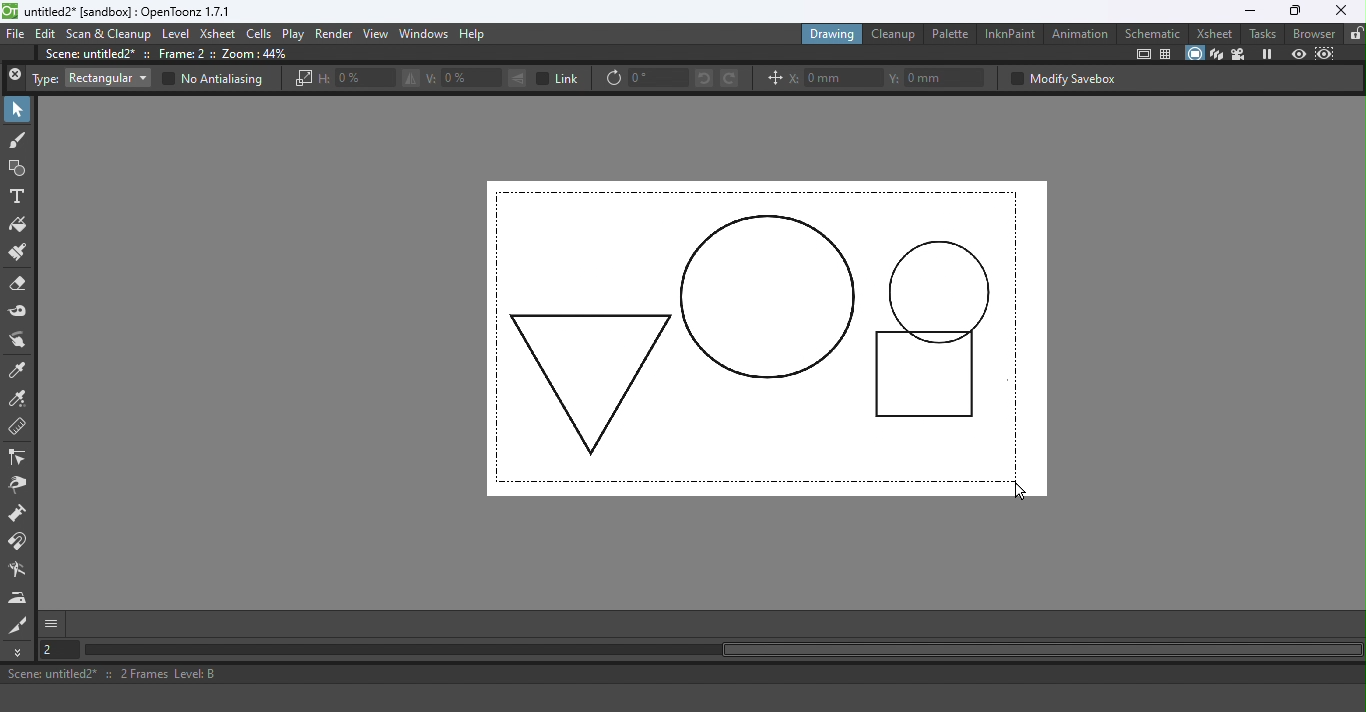 This screenshot has height=712, width=1366. I want to click on Modify savebox, so click(1062, 78).